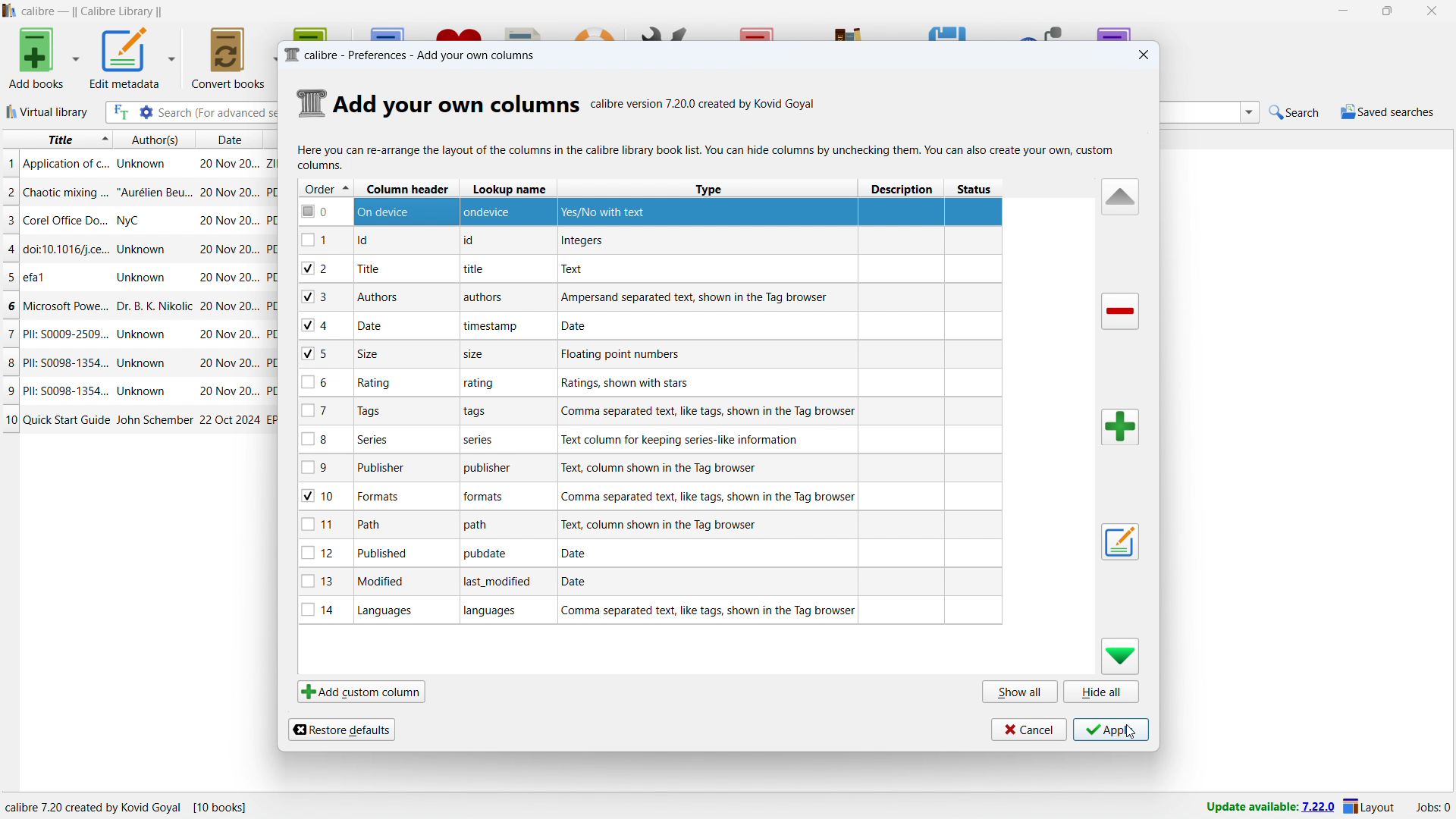 The width and height of the screenshot is (1456, 819). What do you see at coordinates (377, 297) in the screenshot?
I see `authors` at bounding box center [377, 297].